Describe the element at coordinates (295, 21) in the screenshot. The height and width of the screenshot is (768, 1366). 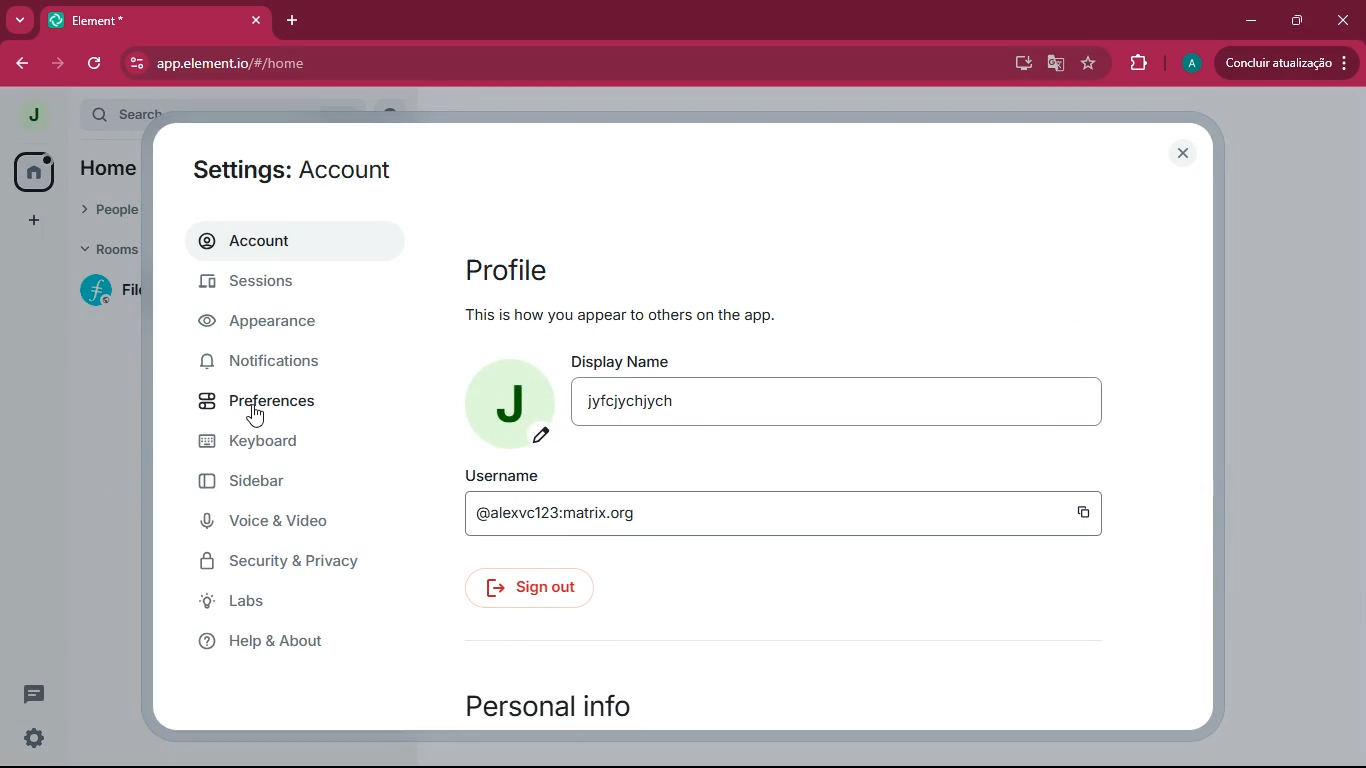
I see `add tab` at that location.